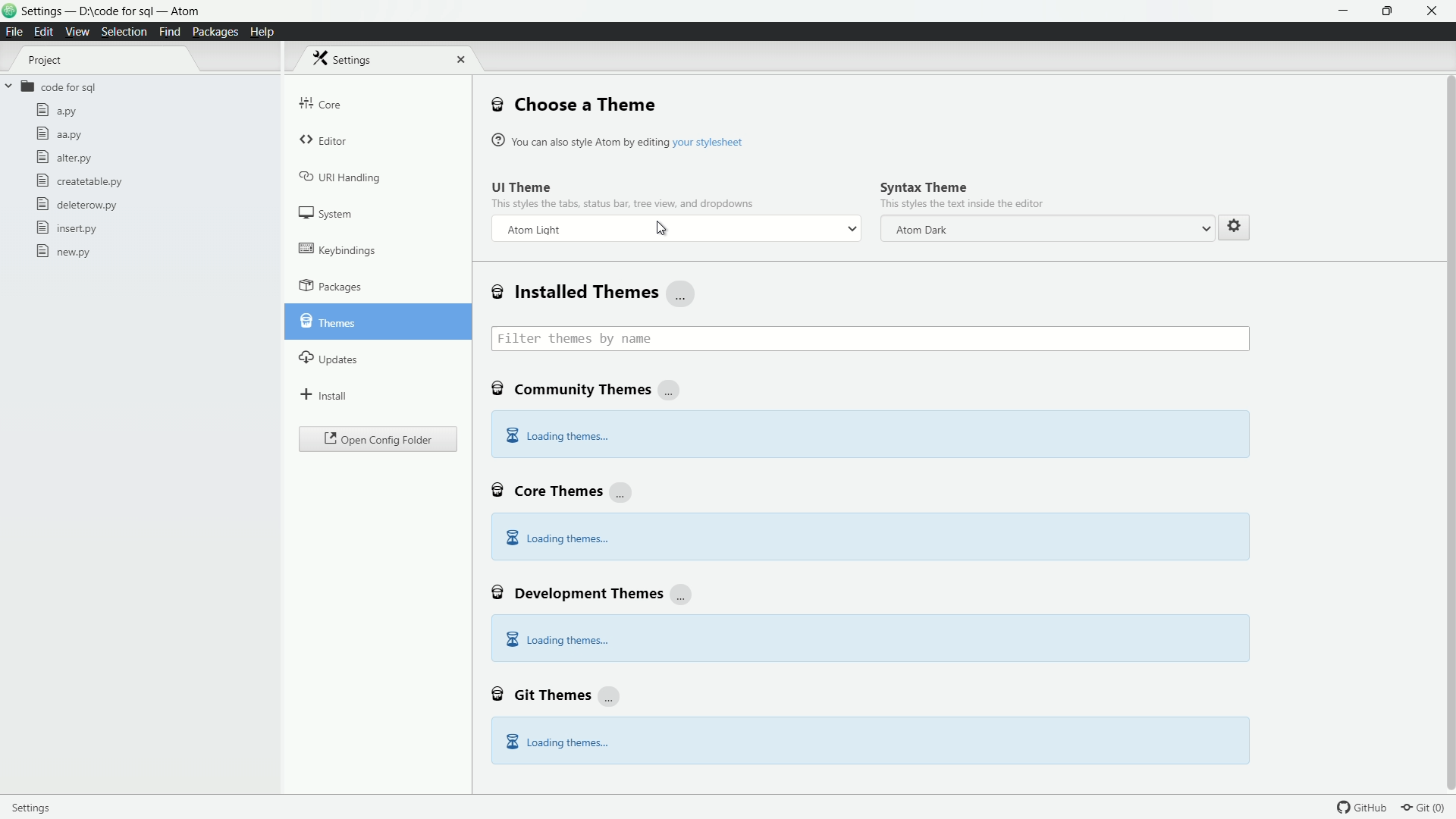  Describe the element at coordinates (331, 286) in the screenshot. I see `packages` at that location.